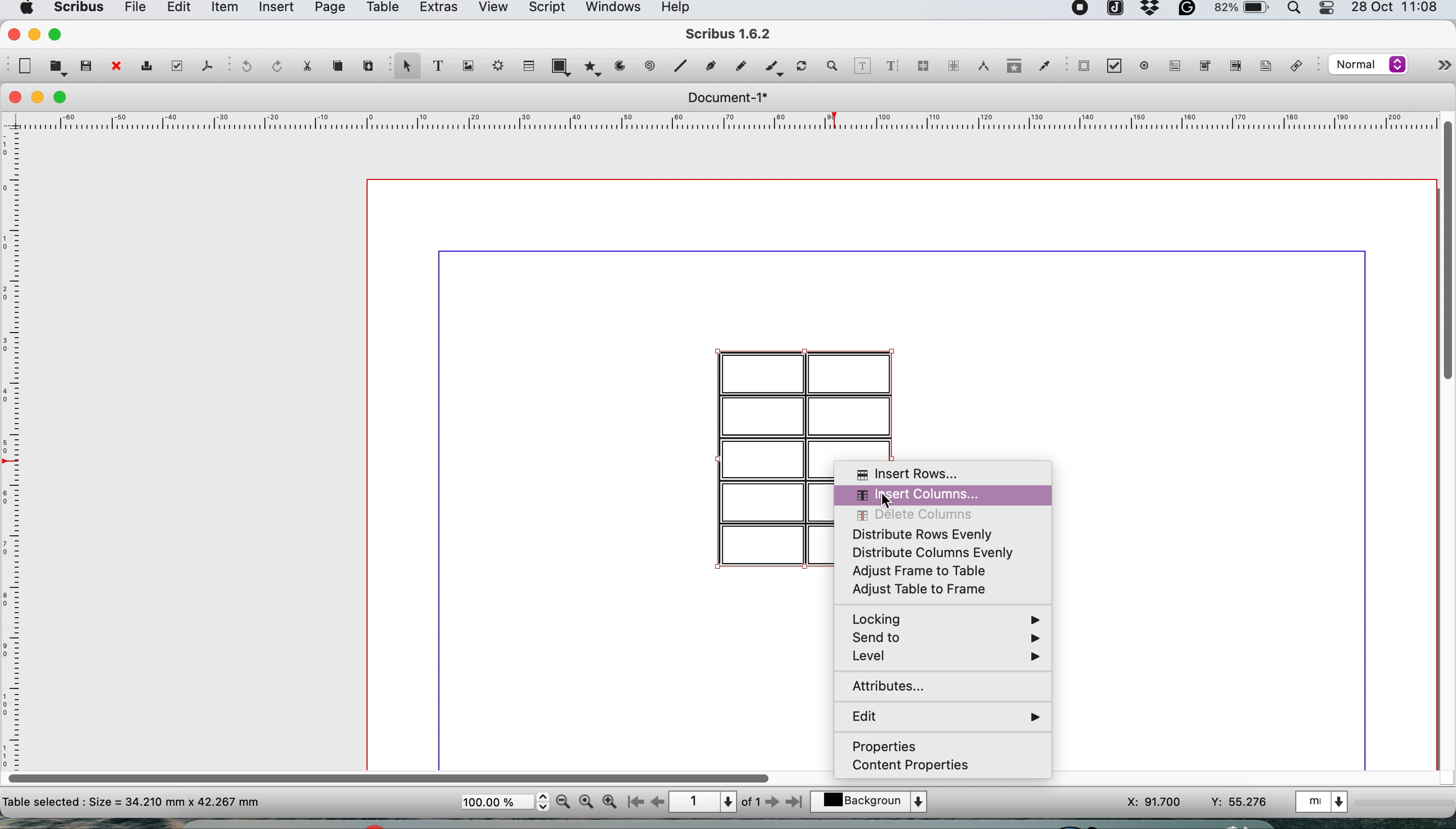 Image resolution: width=1456 pixels, height=829 pixels. I want to click on document 1, so click(727, 98).